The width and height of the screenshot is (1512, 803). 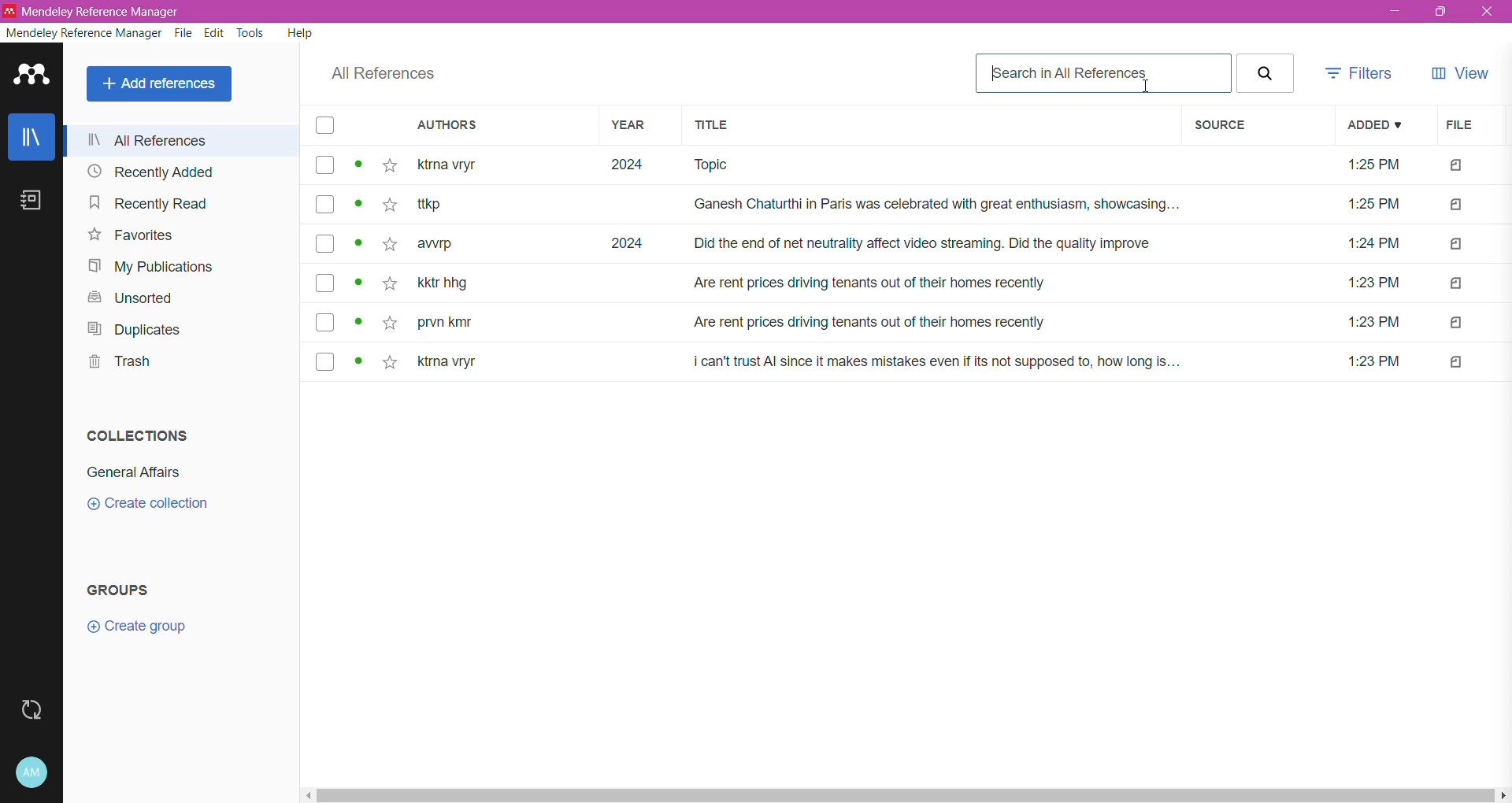 What do you see at coordinates (1443, 13) in the screenshot?
I see `Restore Down` at bounding box center [1443, 13].